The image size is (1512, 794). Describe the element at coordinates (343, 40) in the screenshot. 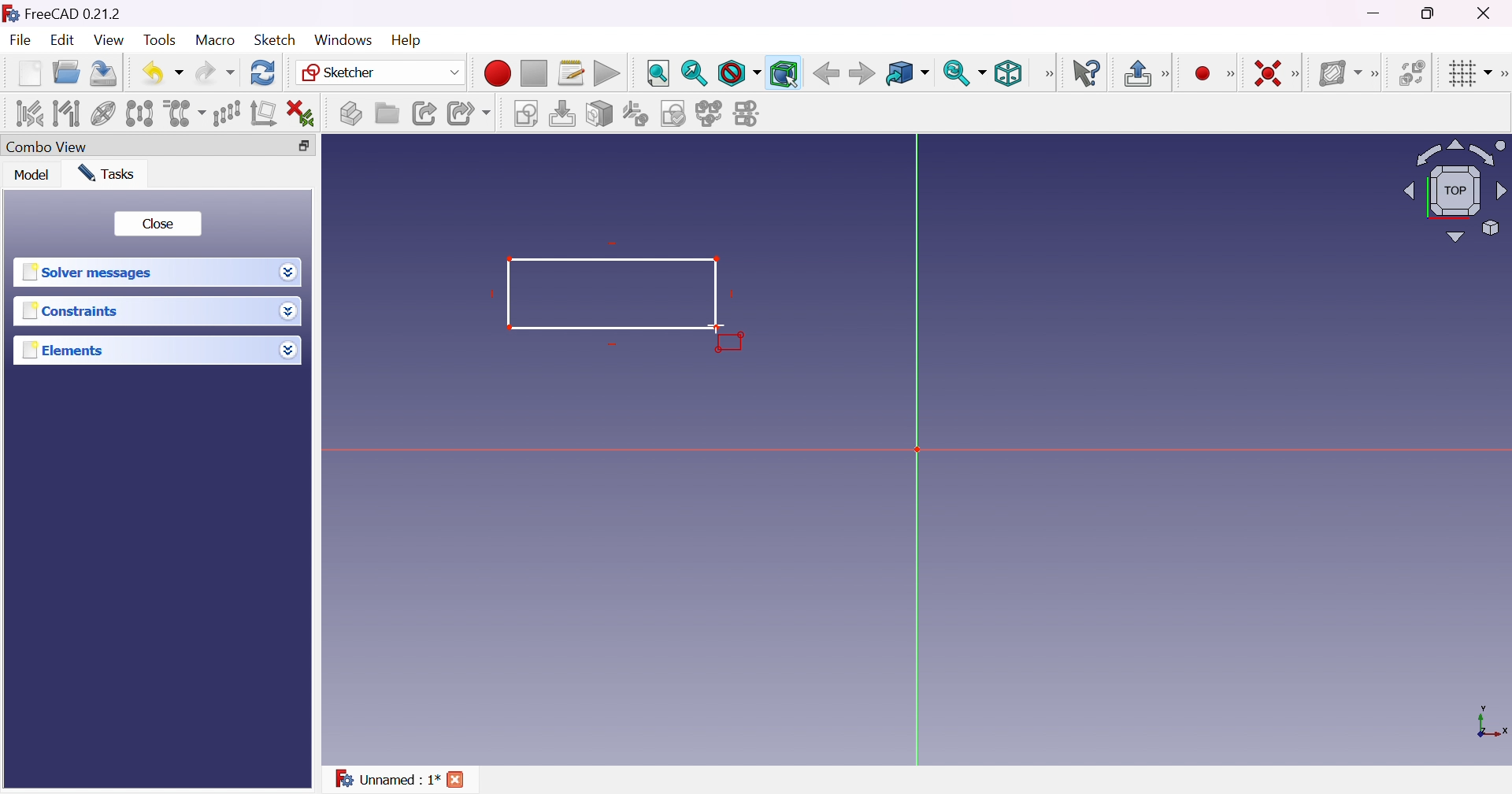

I see `Windows` at that location.